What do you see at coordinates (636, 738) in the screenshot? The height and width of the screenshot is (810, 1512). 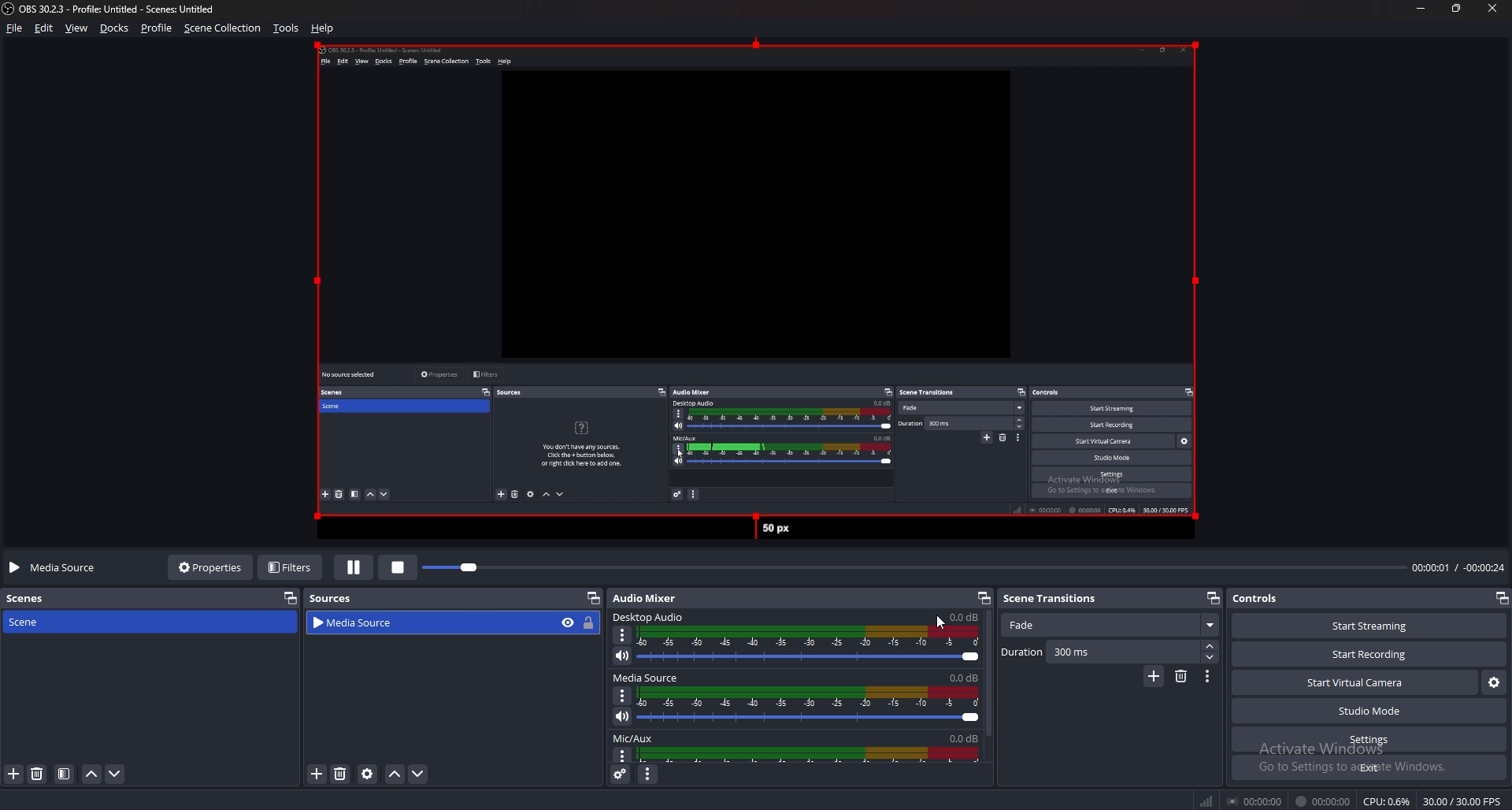 I see `mic/aux` at bounding box center [636, 738].